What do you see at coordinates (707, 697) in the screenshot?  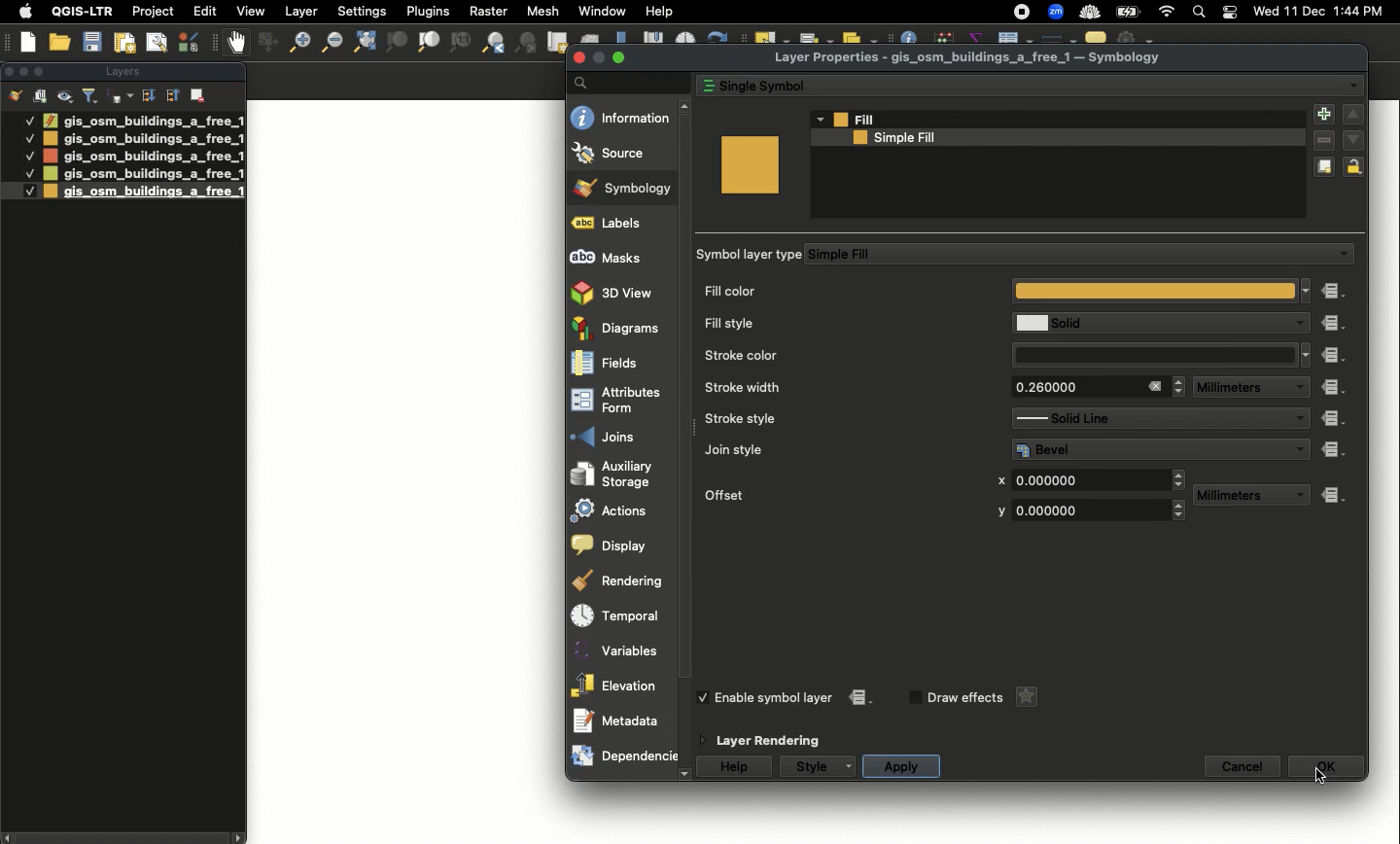 I see `checked` at bounding box center [707, 697].